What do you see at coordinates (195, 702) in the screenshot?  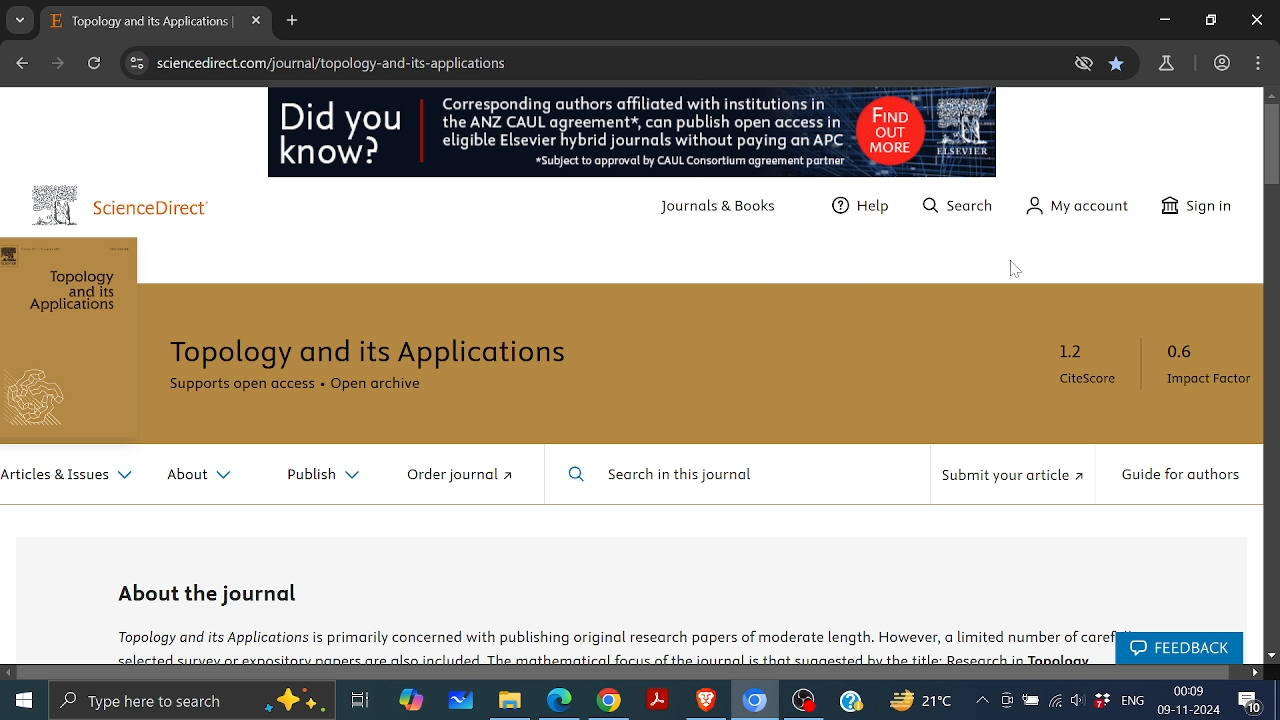 I see `Type here to search` at bounding box center [195, 702].